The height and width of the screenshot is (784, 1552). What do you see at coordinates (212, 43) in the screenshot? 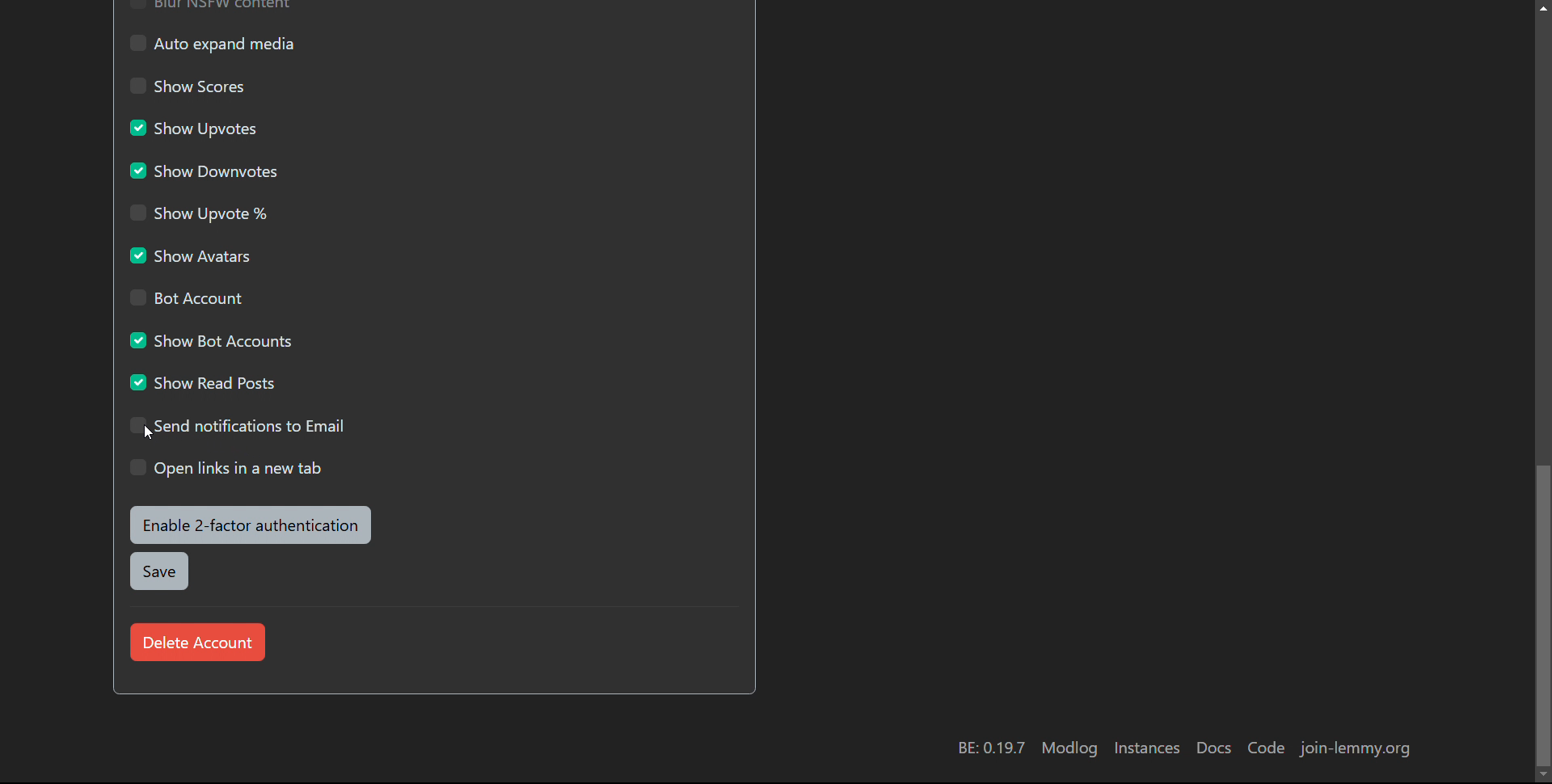
I see `auto expand media` at bounding box center [212, 43].